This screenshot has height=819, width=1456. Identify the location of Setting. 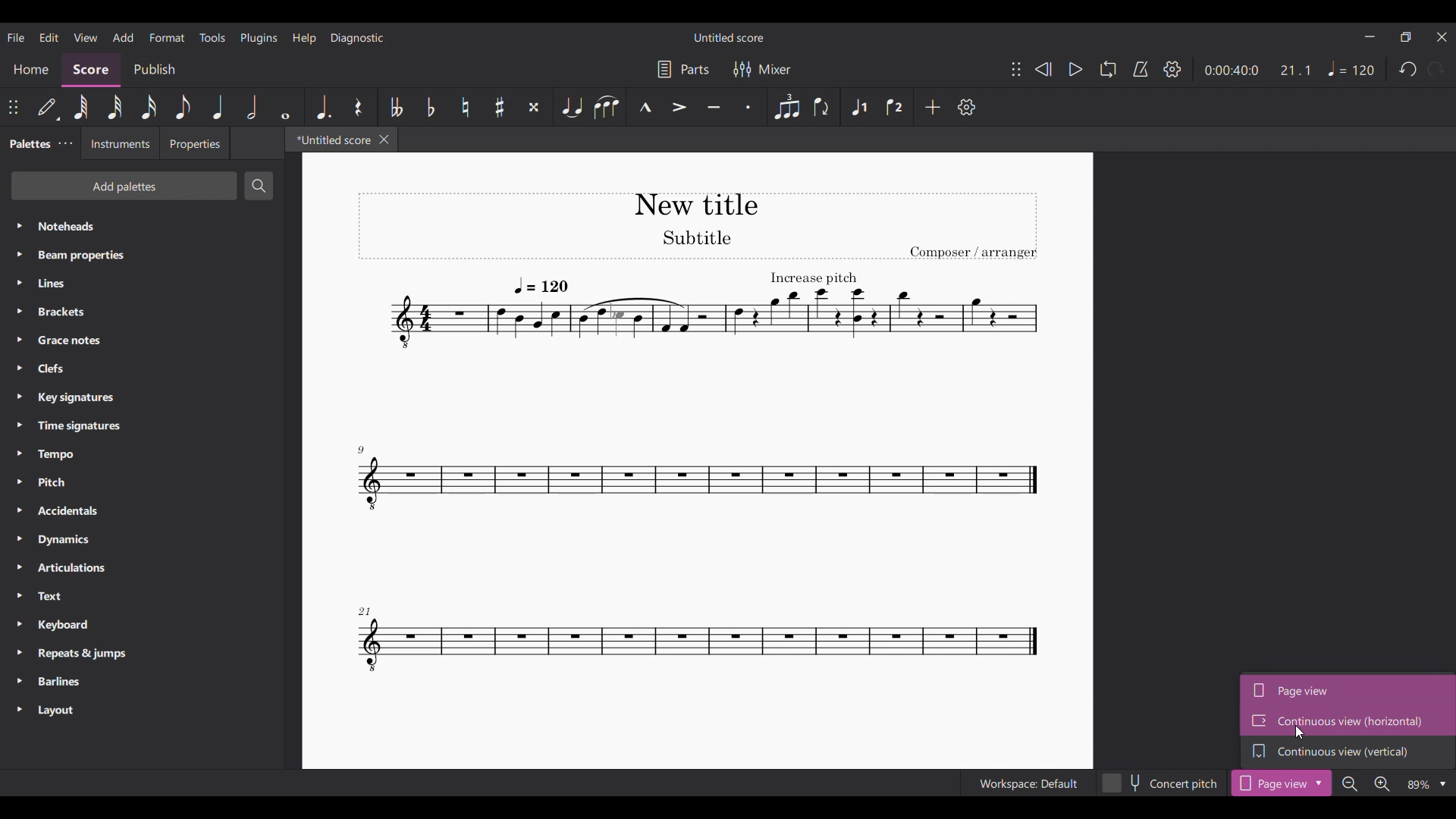
(968, 107).